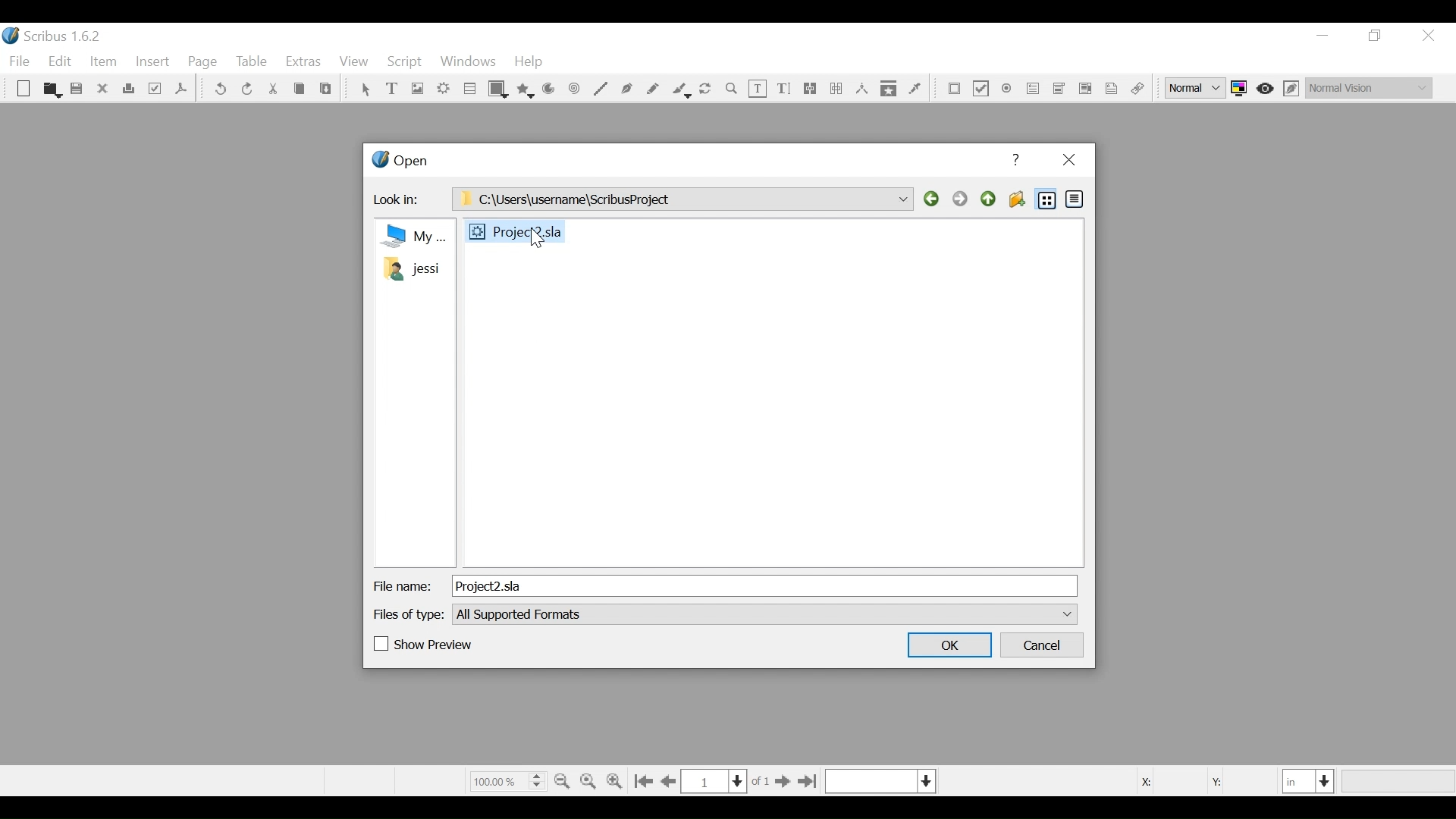 The width and height of the screenshot is (1456, 819). Describe the element at coordinates (299, 90) in the screenshot. I see `Cop` at that location.